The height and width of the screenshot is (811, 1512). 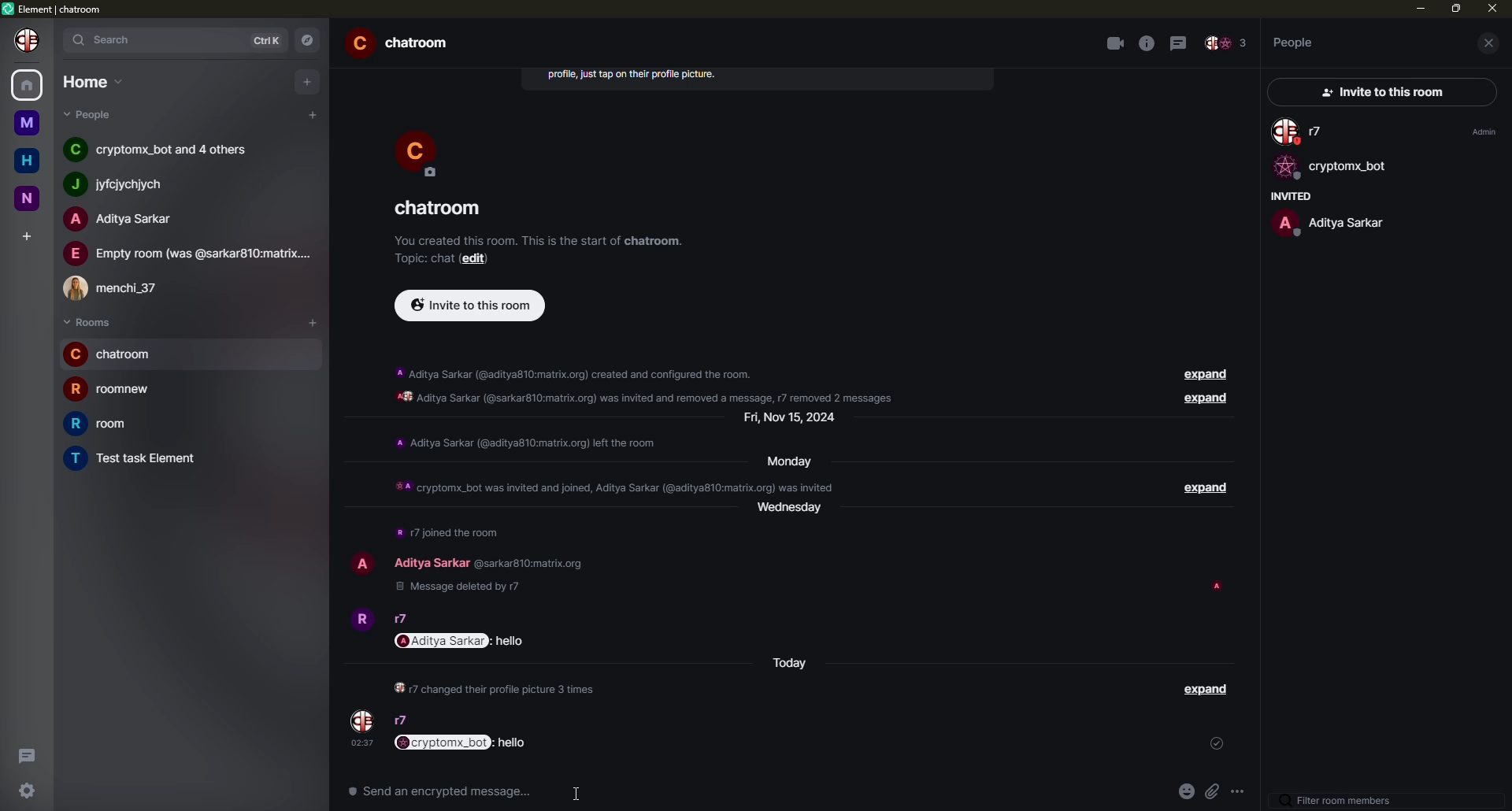 I want to click on deleted, so click(x=458, y=591).